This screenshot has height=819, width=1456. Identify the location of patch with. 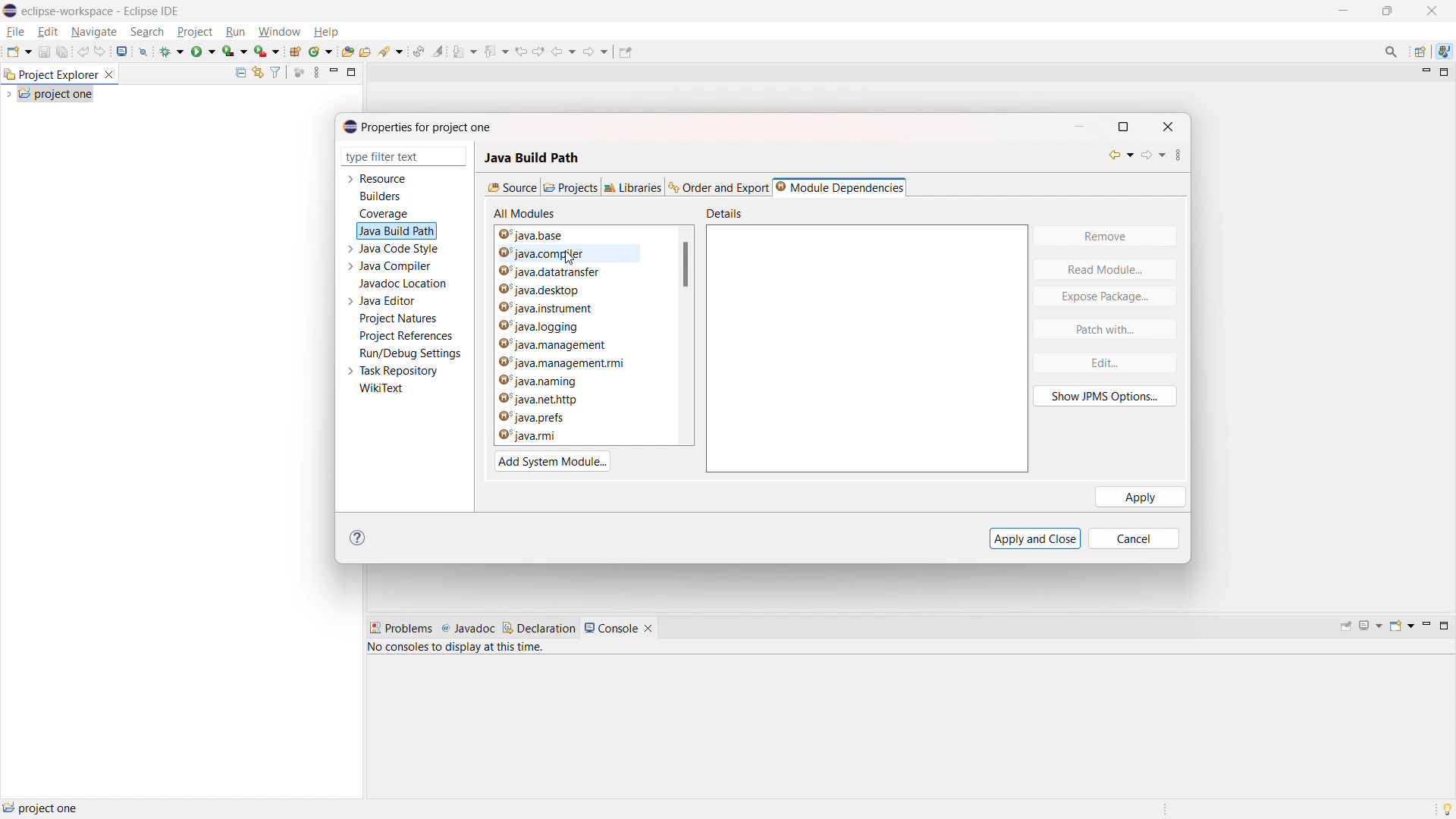
(1105, 329).